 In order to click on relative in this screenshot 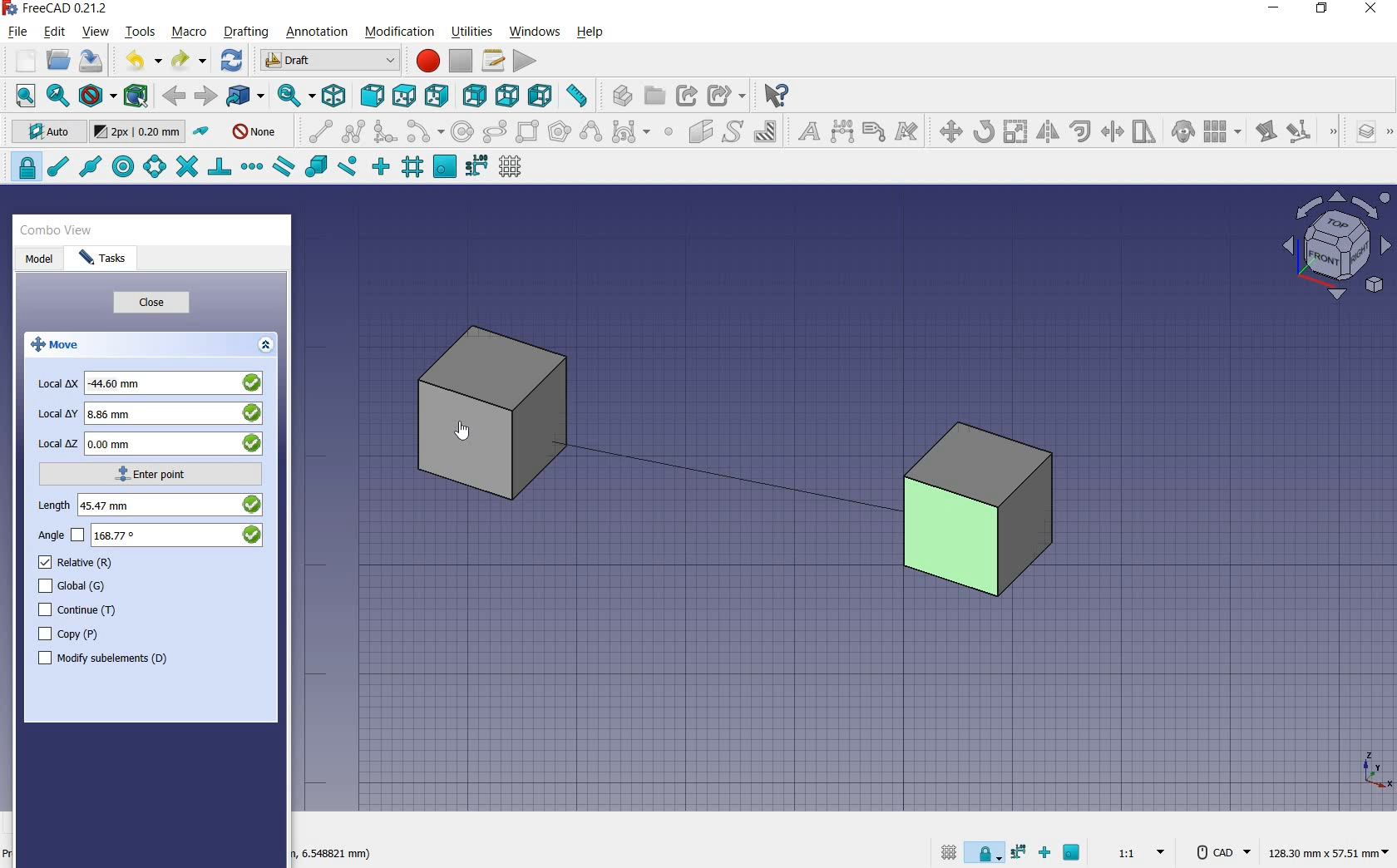, I will do `click(77, 562)`.